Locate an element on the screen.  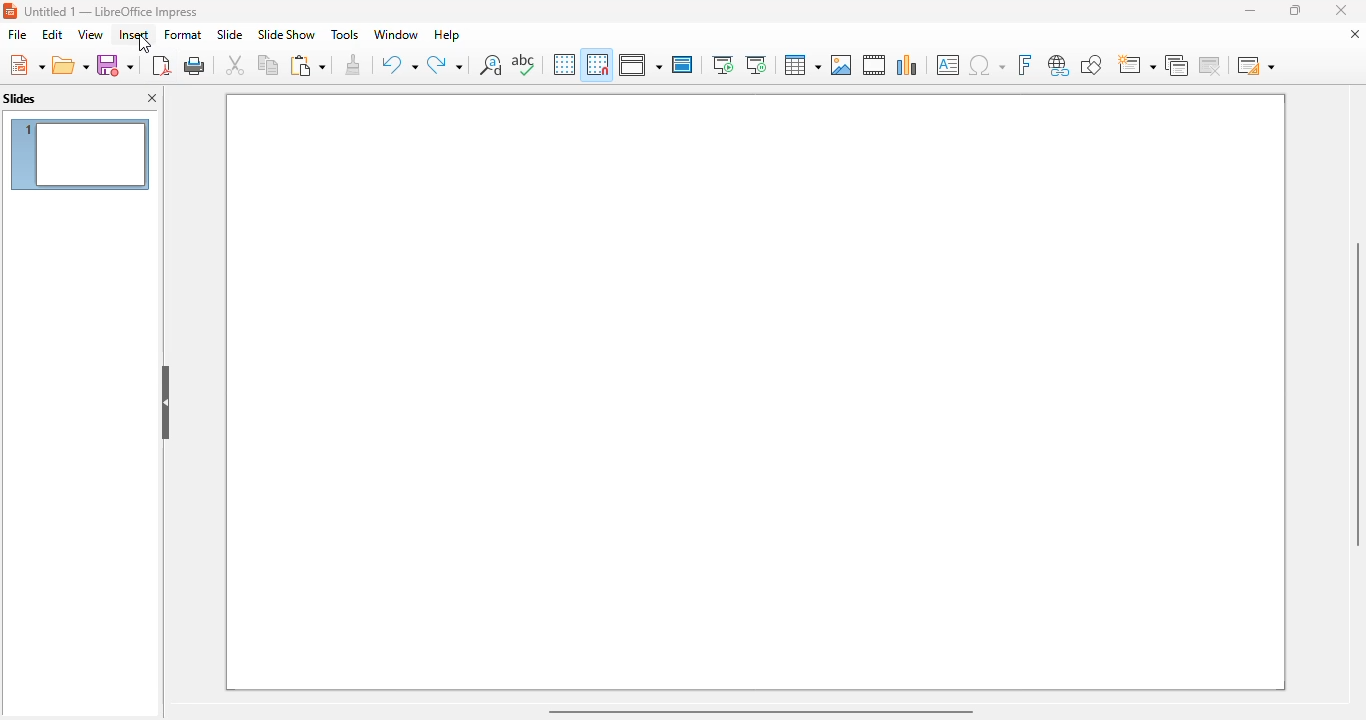
edit is located at coordinates (52, 34).